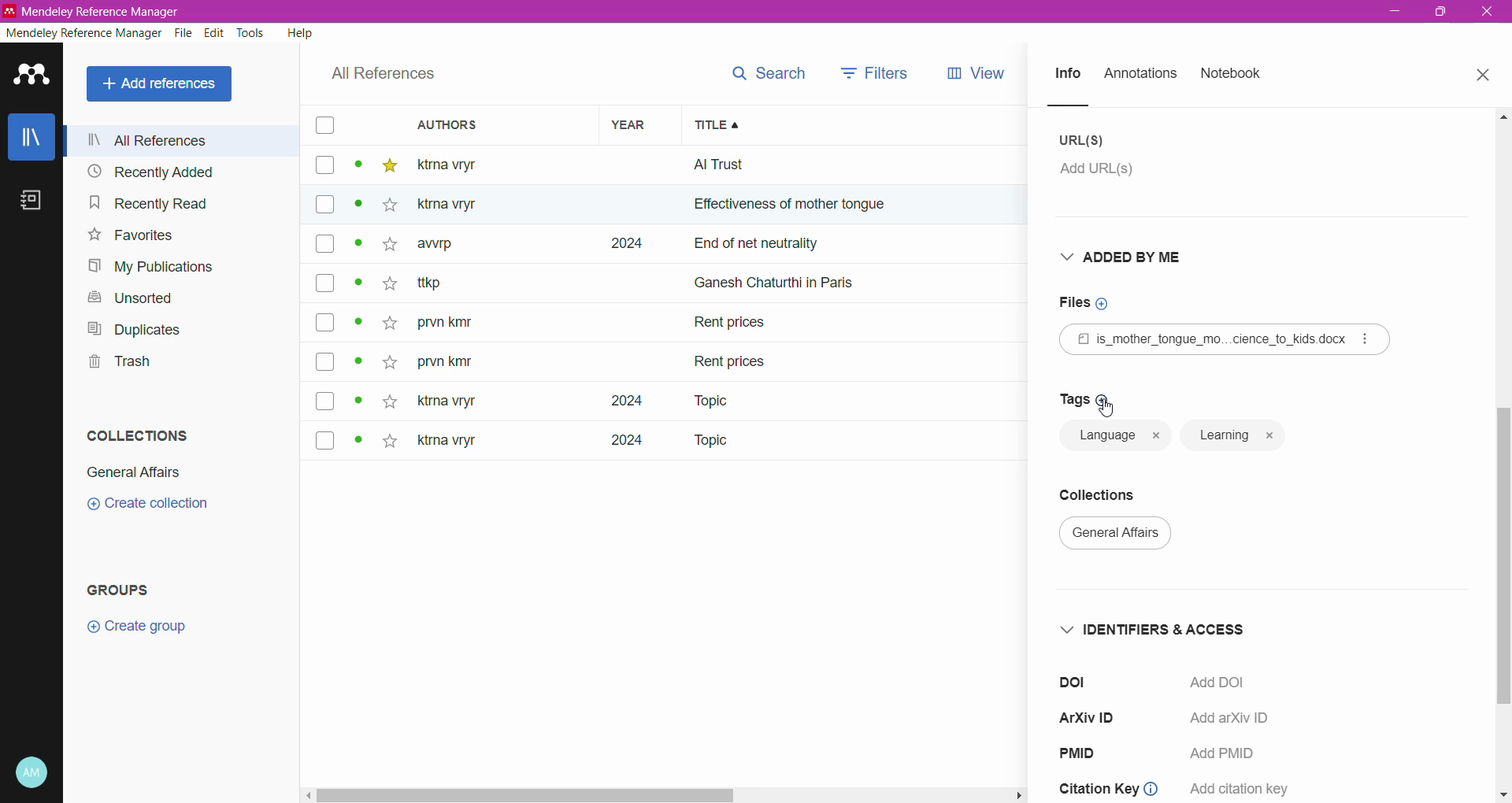 The width and height of the screenshot is (1512, 803). I want to click on box, so click(323, 126).